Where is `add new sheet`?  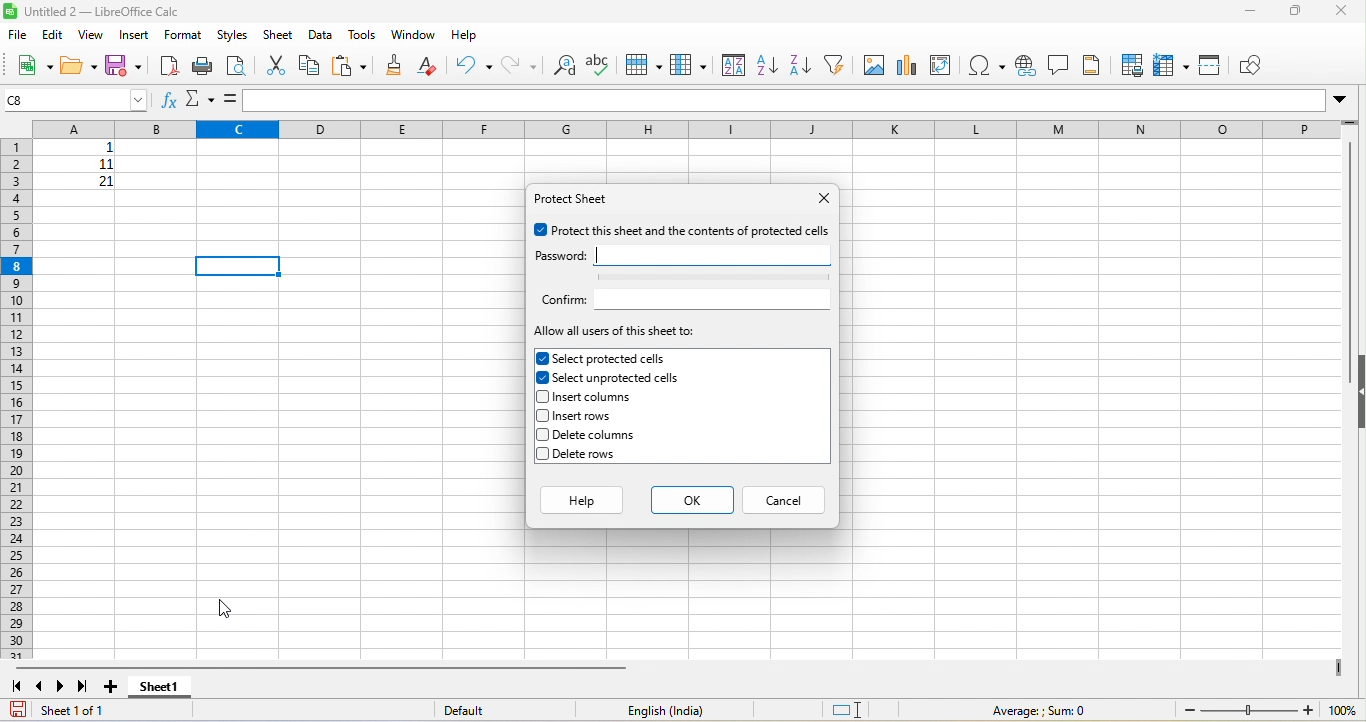 add new sheet is located at coordinates (112, 687).